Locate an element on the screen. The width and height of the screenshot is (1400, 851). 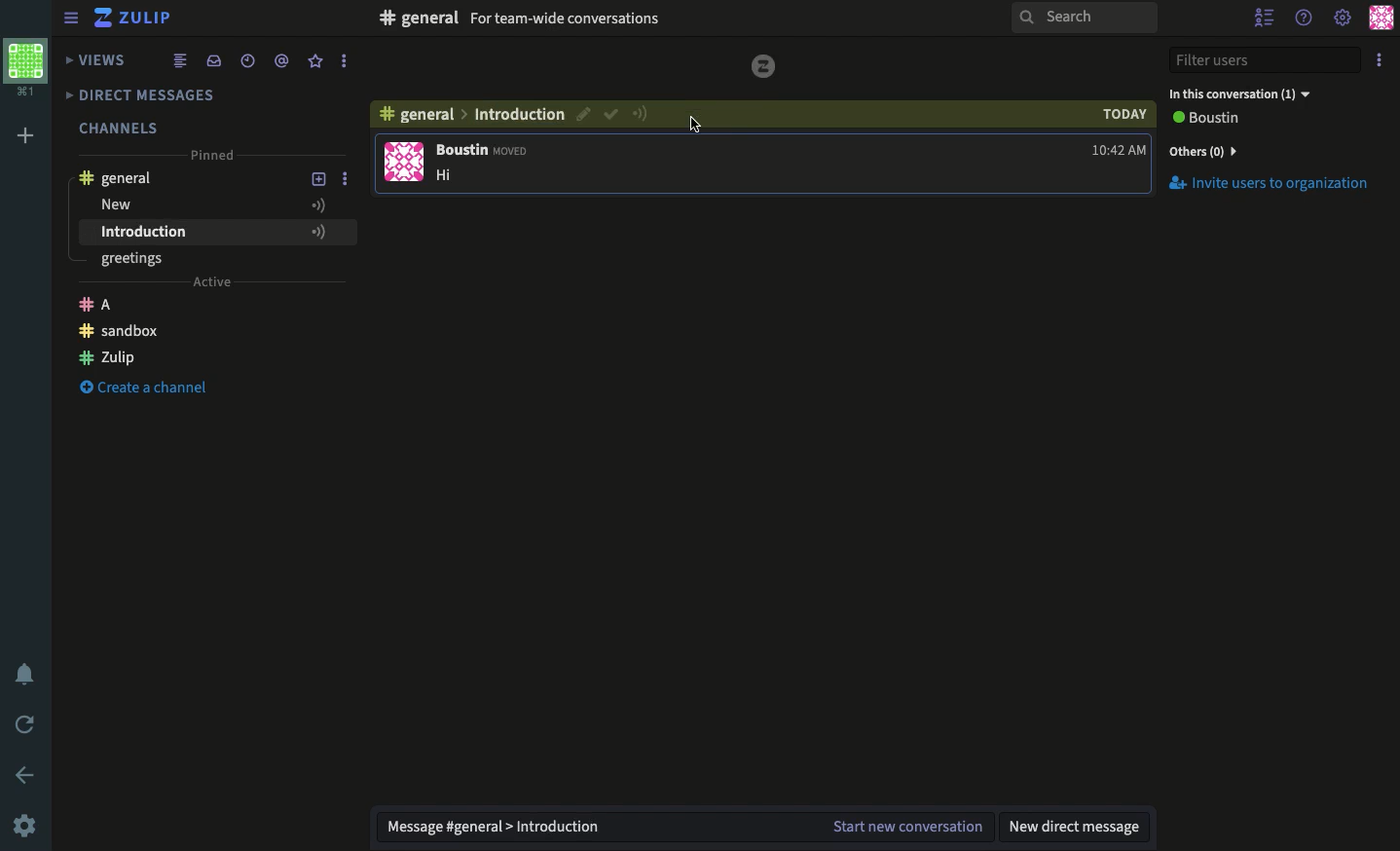
Add is located at coordinates (319, 203).